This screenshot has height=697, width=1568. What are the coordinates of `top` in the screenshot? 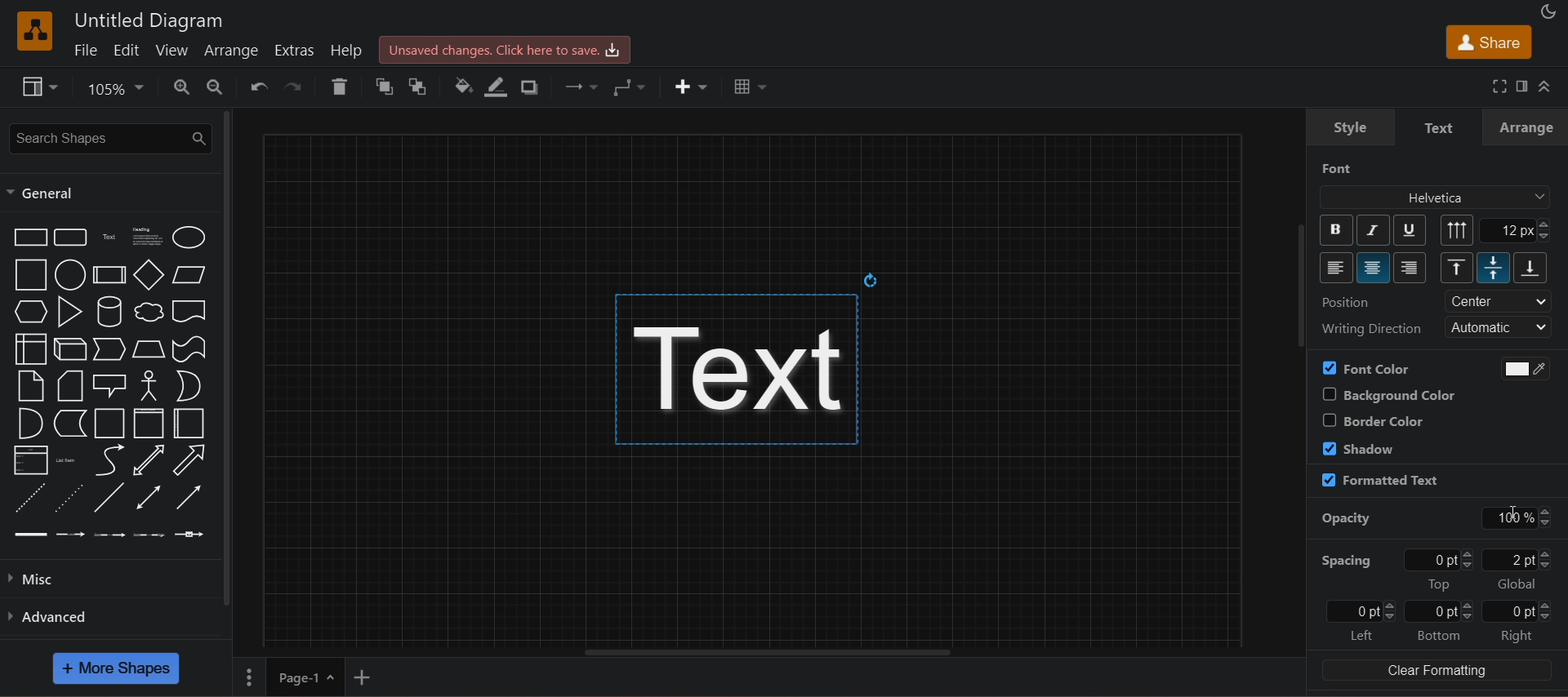 It's located at (1439, 584).